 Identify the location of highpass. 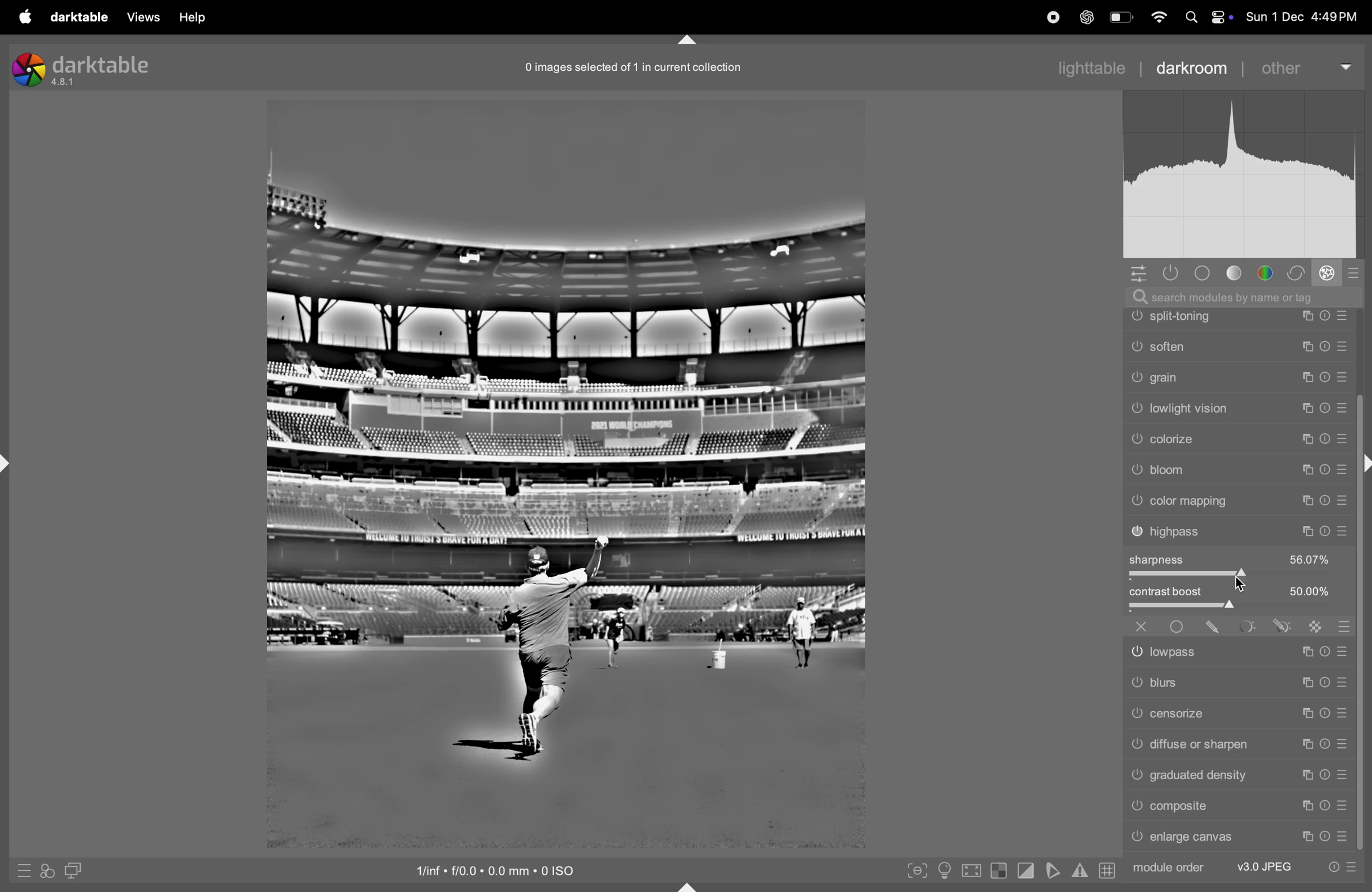
(1239, 619).